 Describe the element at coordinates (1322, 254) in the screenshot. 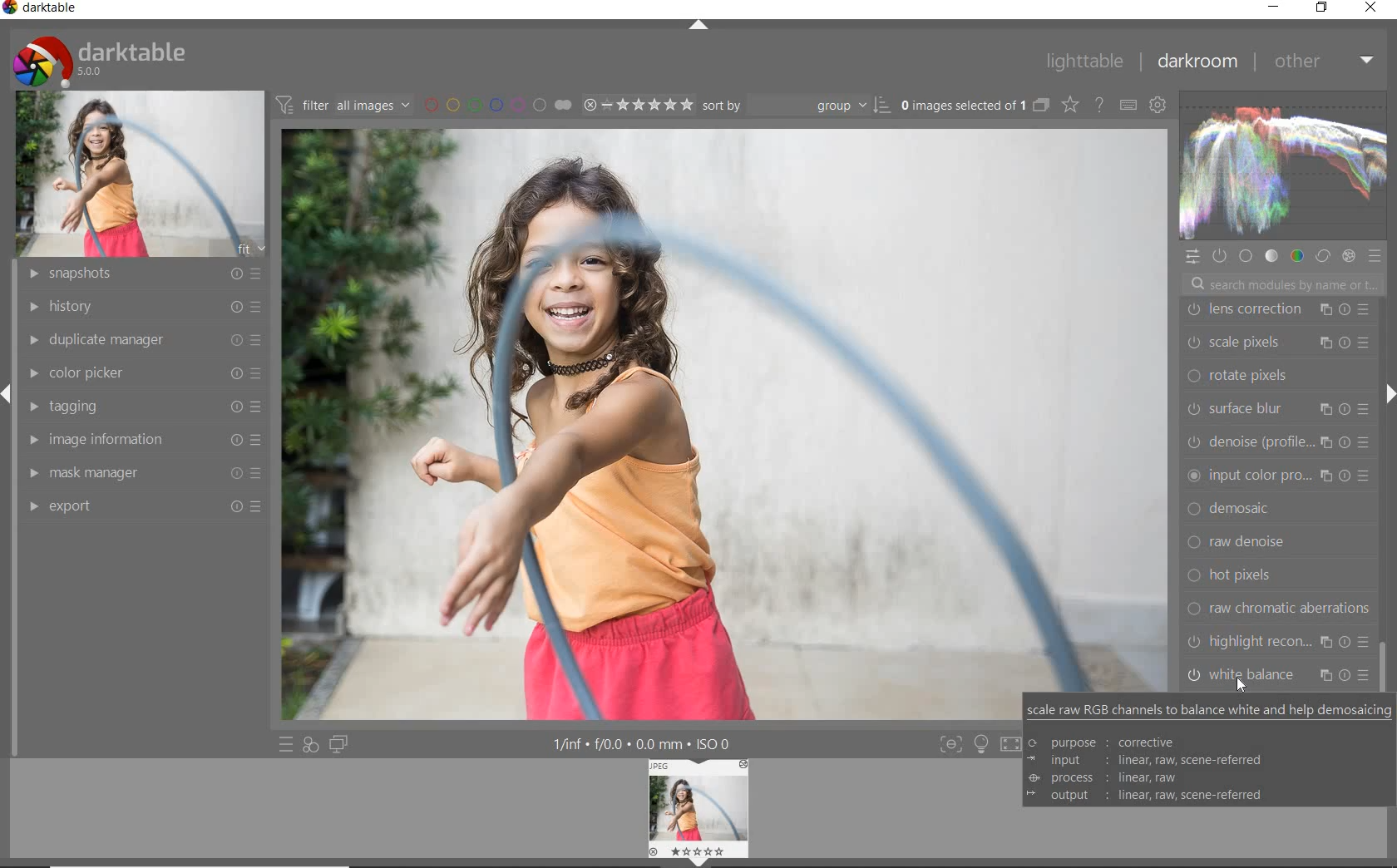

I see `correct` at that location.